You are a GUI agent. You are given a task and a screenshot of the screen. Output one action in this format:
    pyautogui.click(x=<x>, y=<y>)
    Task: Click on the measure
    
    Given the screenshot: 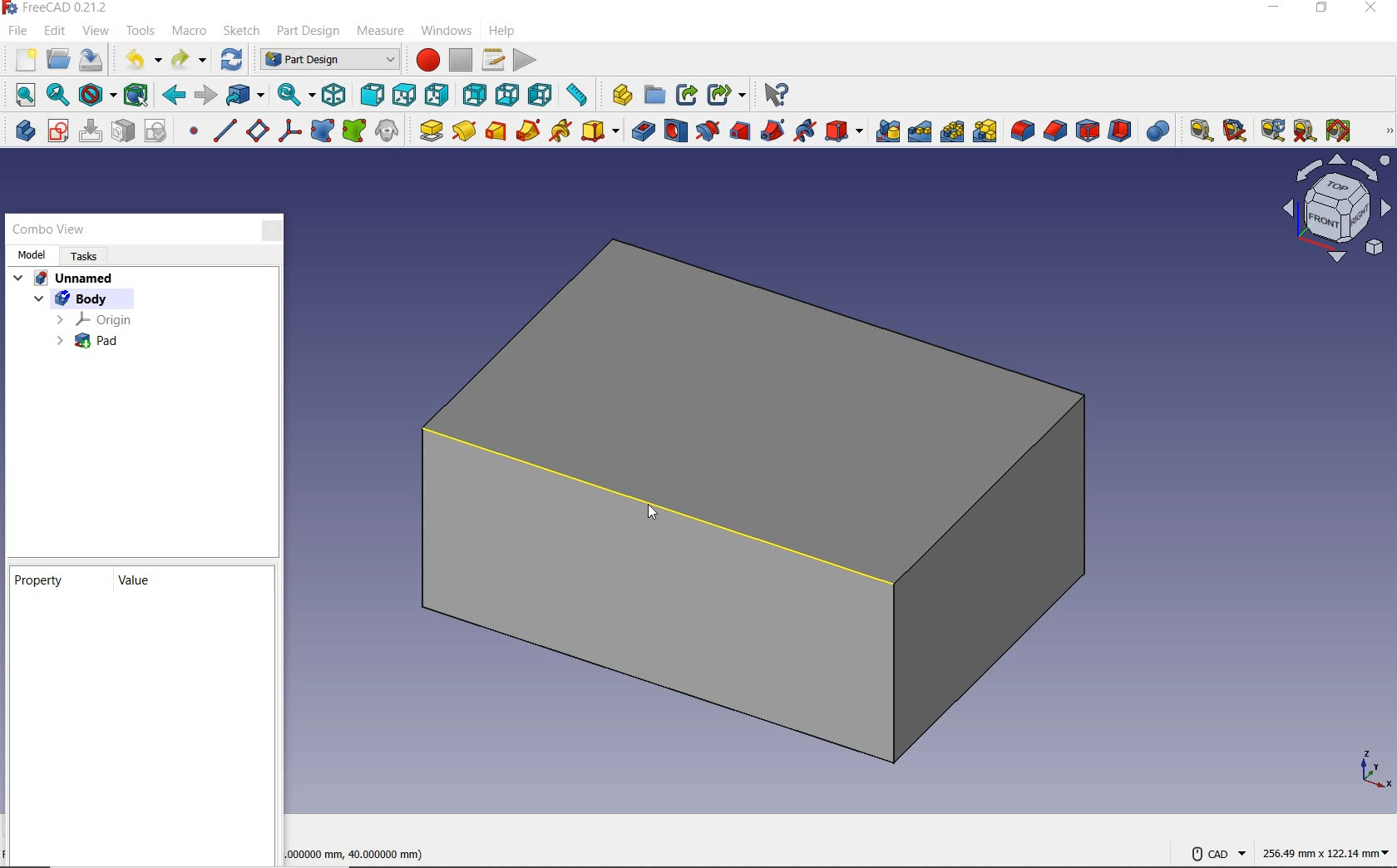 What is the action you would take?
    pyautogui.click(x=384, y=32)
    